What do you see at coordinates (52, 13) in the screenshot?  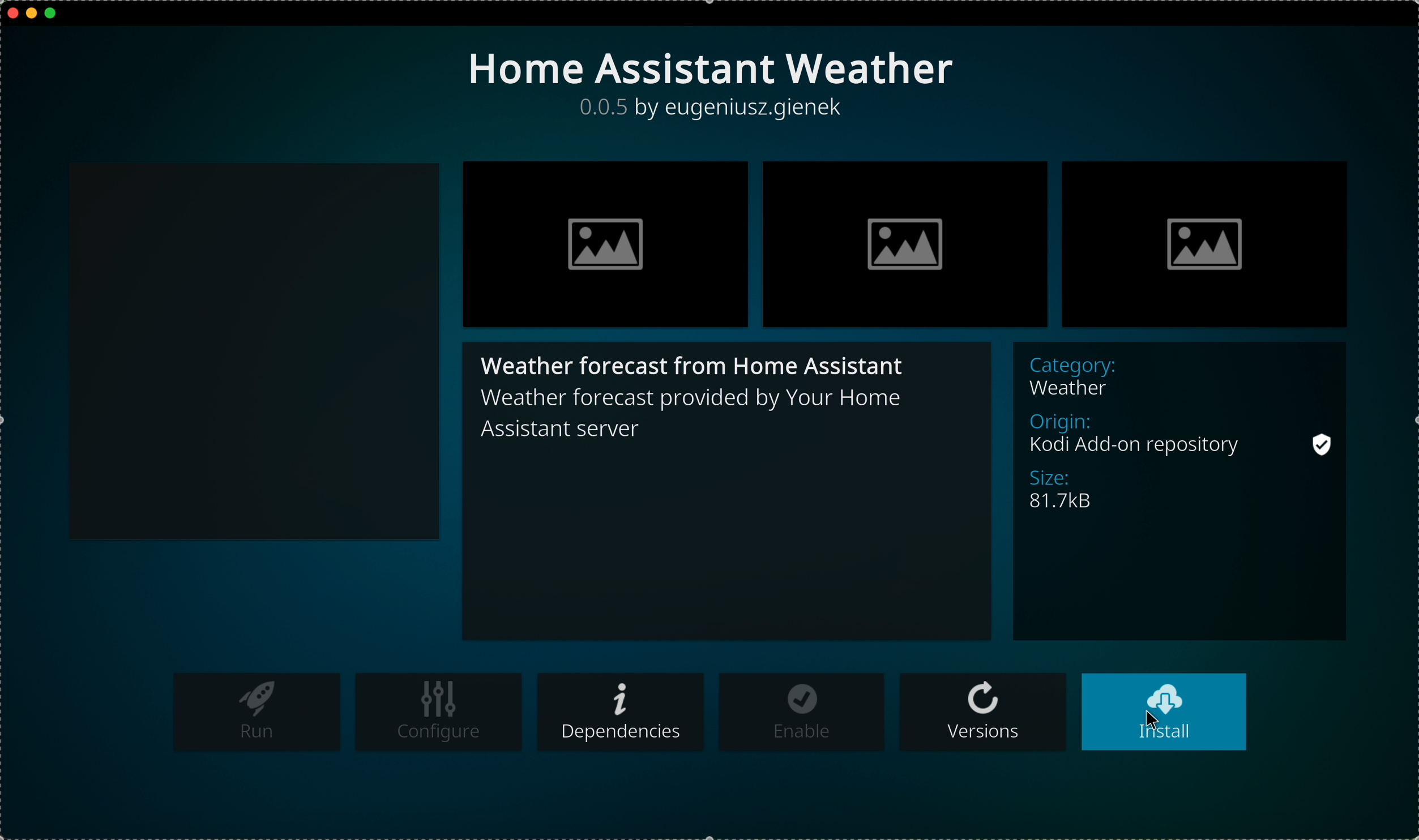 I see `maximize` at bounding box center [52, 13].